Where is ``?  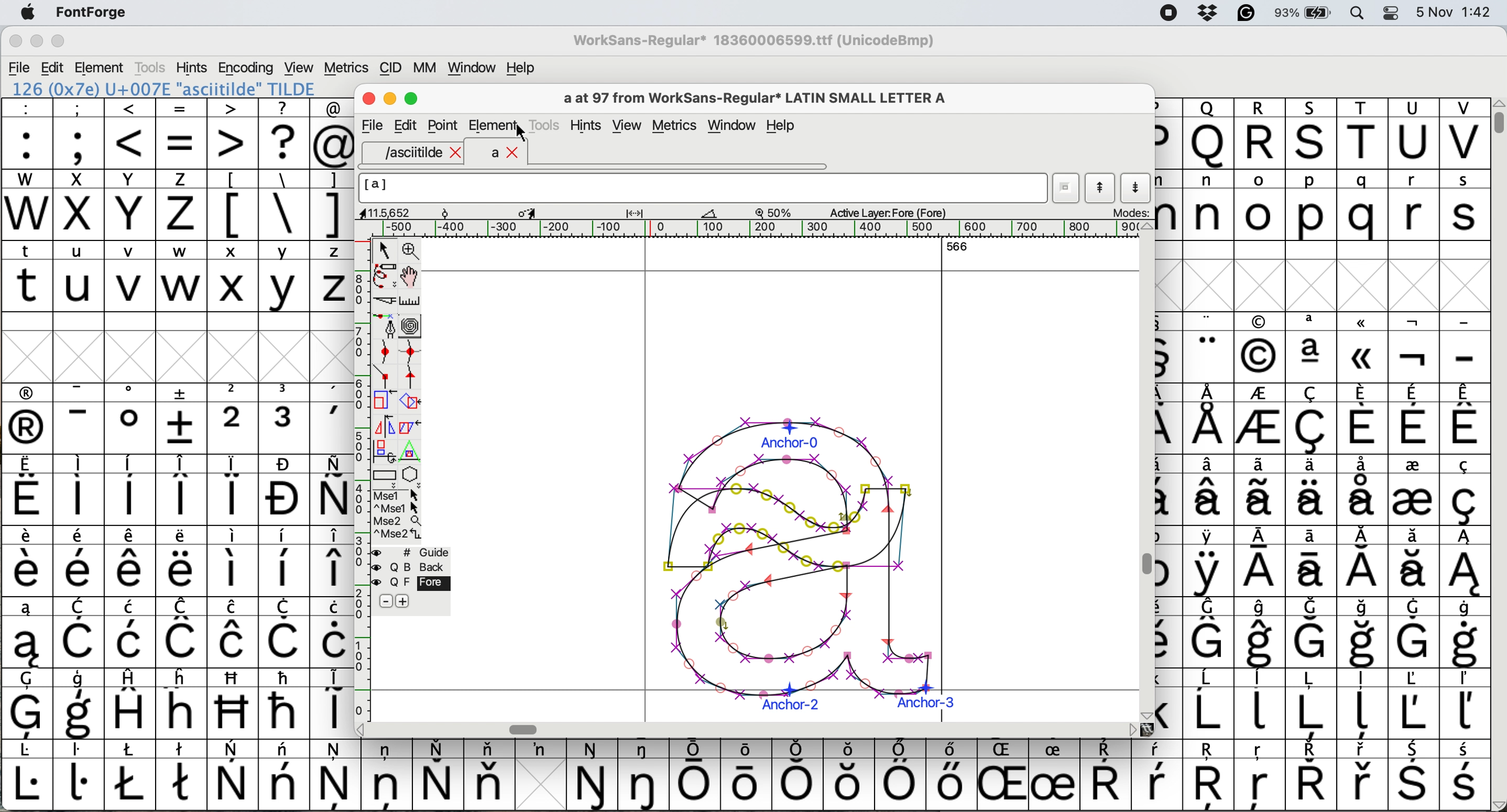  is located at coordinates (1364, 347).